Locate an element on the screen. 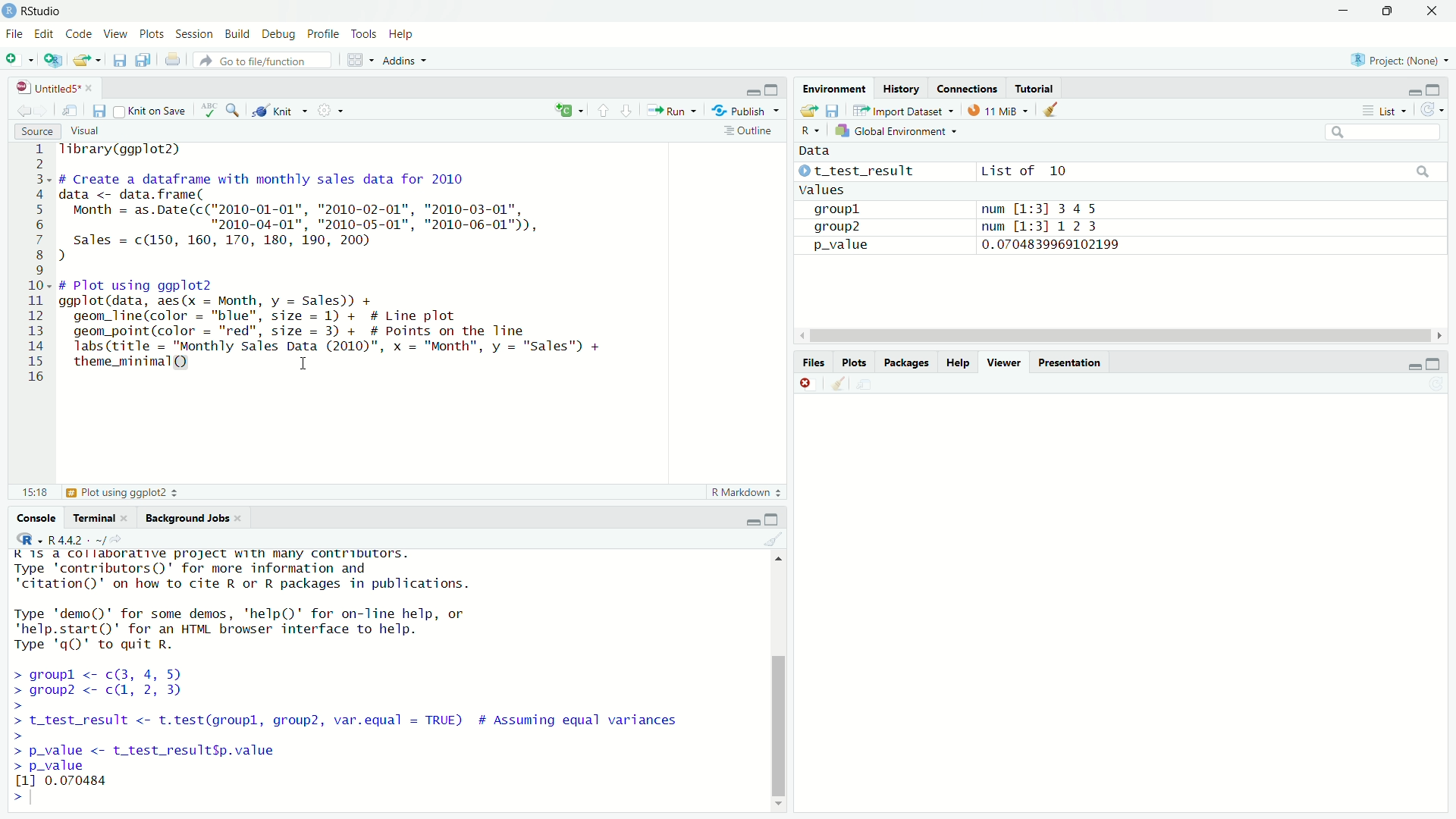 This screenshot has width=1456, height=819. Files is located at coordinates (809, 362).